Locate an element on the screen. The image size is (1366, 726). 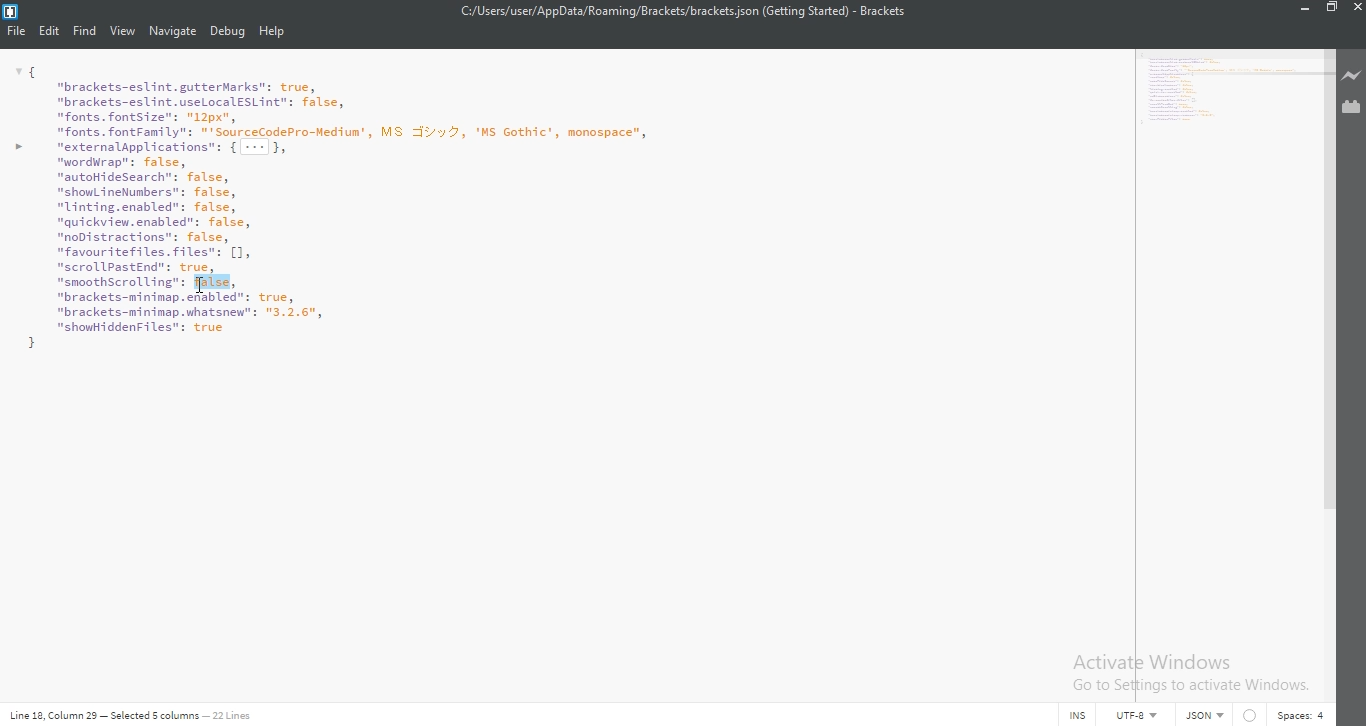
File Encoding is located at coordinates (1140, 716).